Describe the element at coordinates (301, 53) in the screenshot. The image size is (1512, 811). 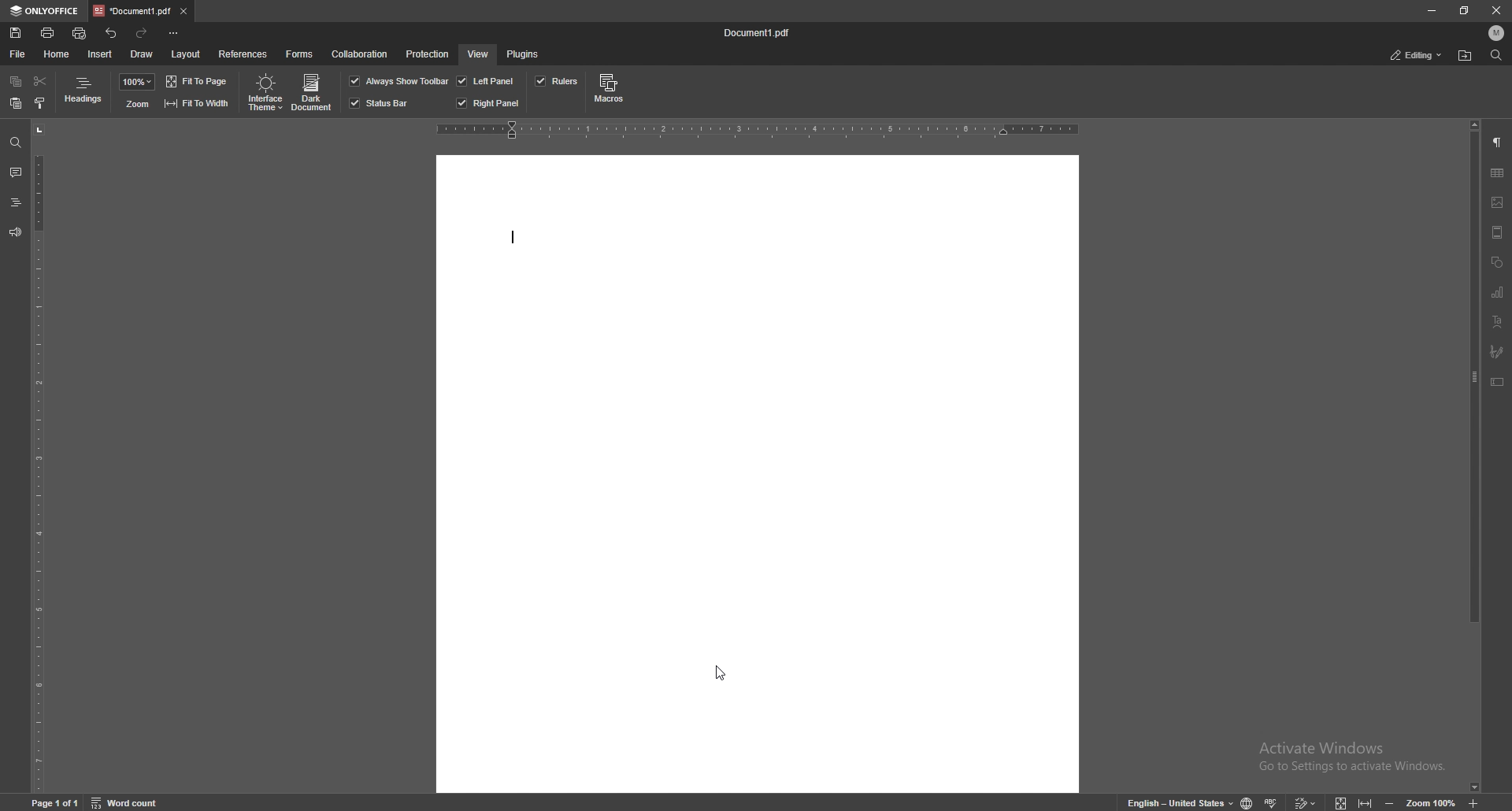
I see `forms` at that location.